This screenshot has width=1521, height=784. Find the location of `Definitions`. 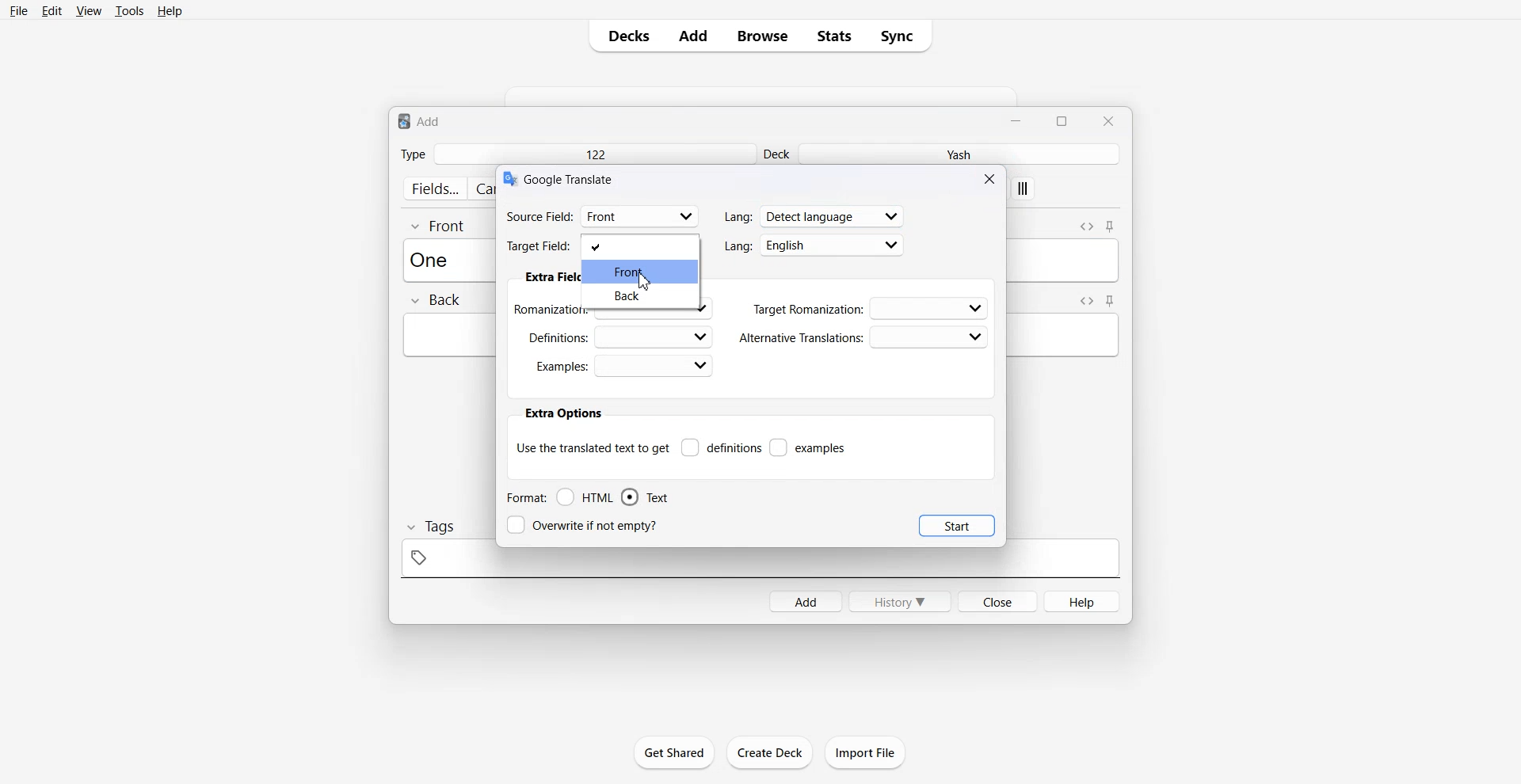

Definitions is located at coordinates (721, 447).